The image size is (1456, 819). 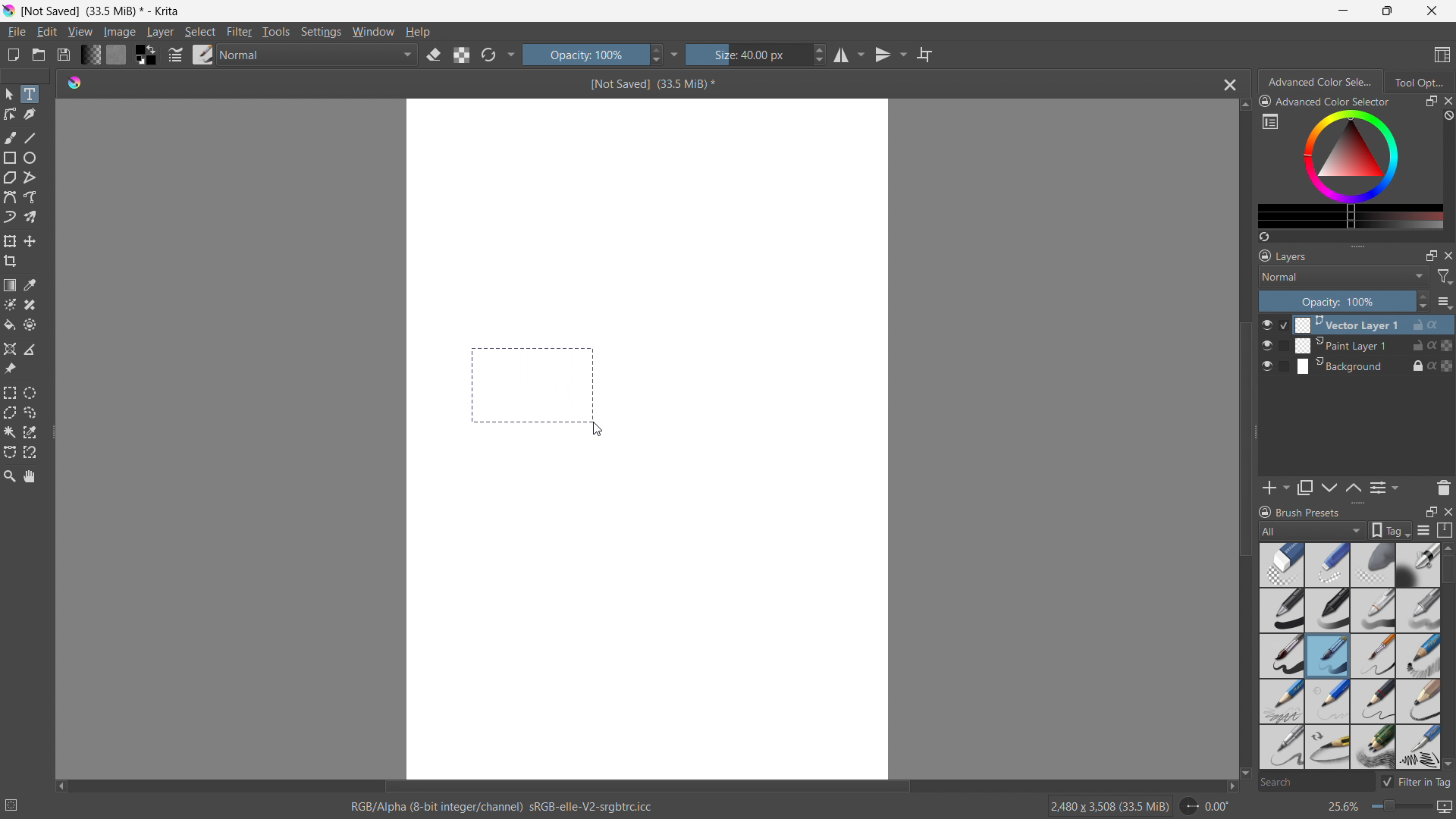 I want to click on resize, so click(x=1357, y=244).